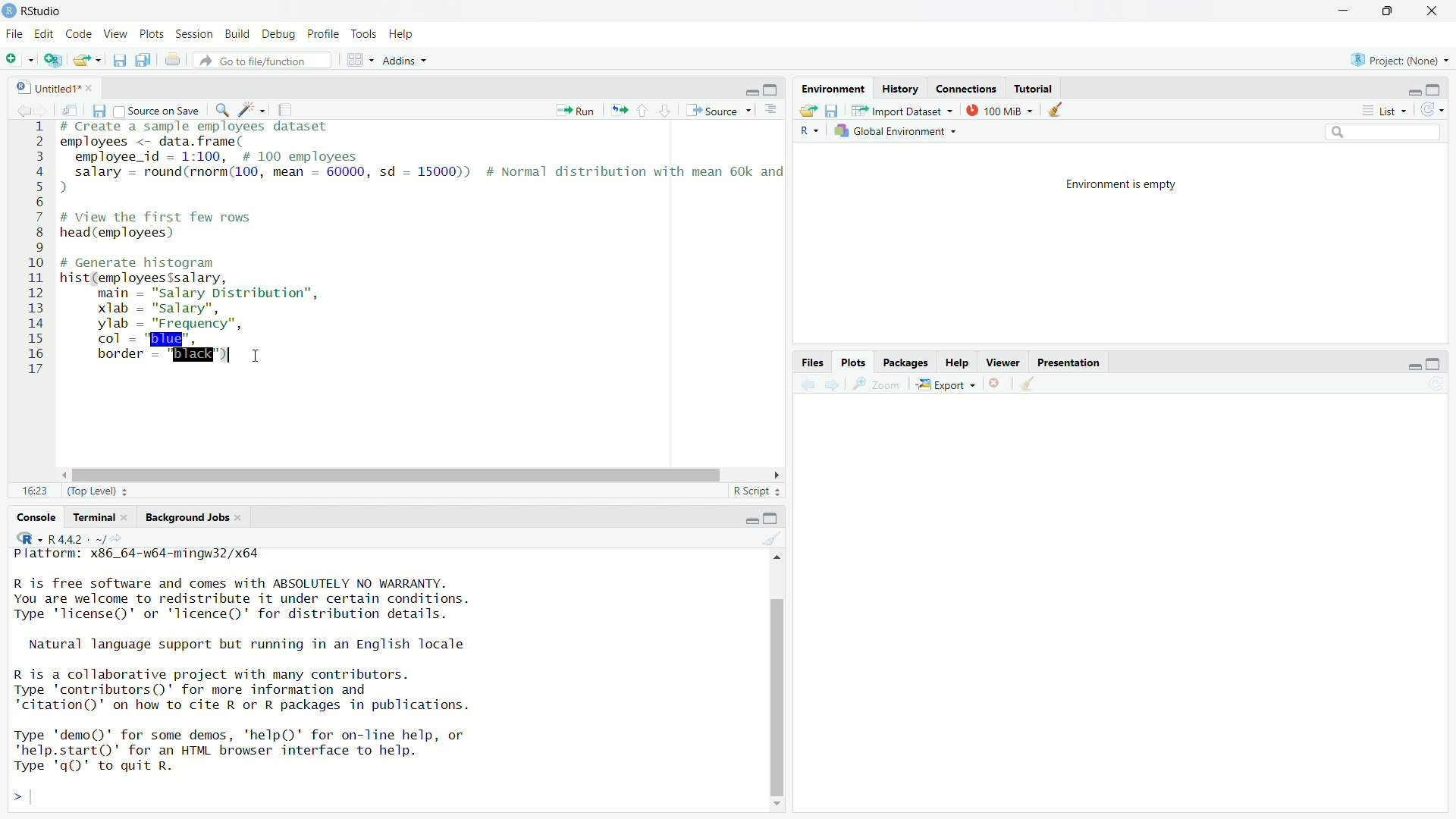 The height and width of the screenshot is (819, 1456). Describe the element at coordinates (195, 34) in the screenshot. I see `Session` at that location.